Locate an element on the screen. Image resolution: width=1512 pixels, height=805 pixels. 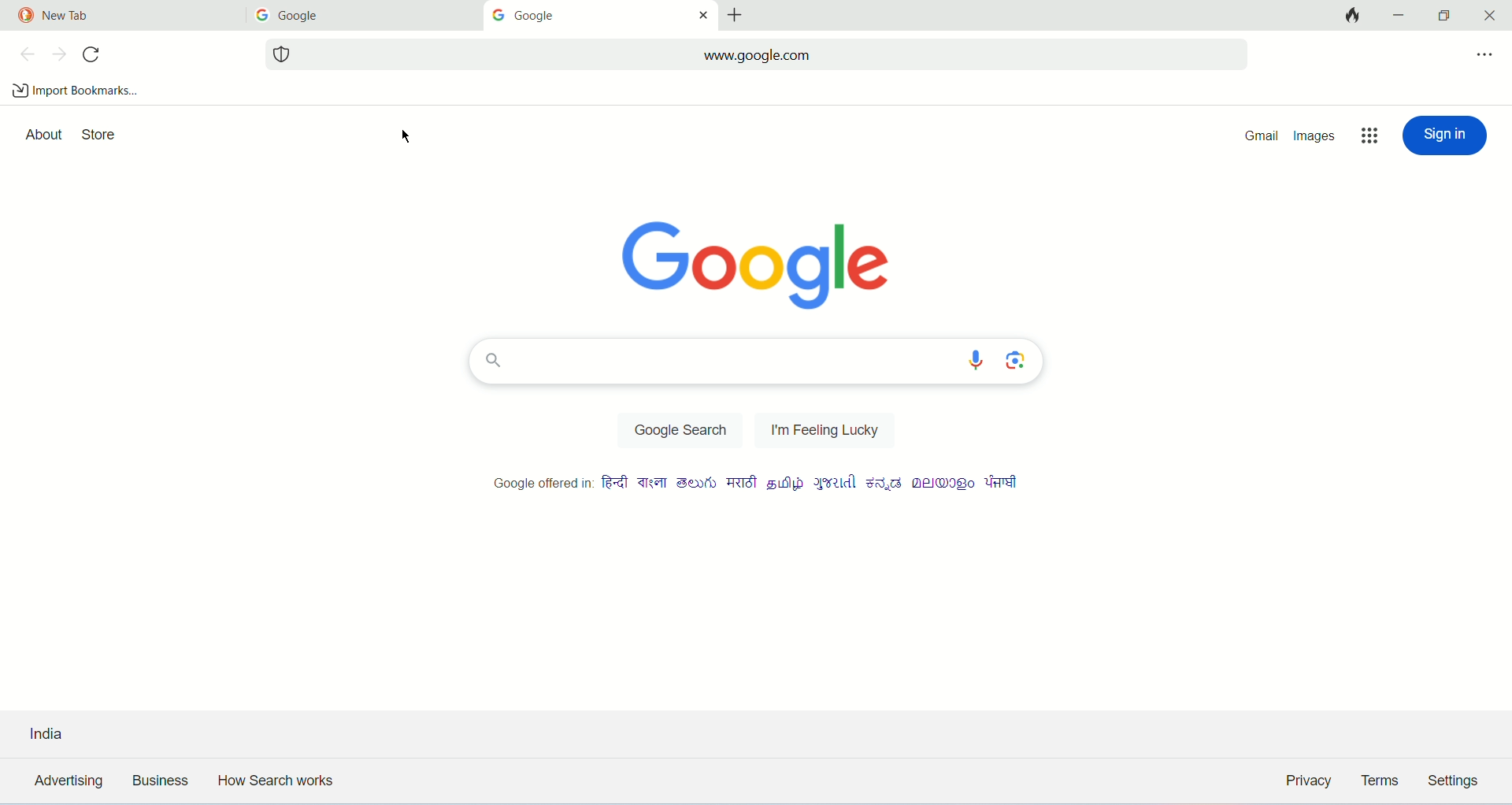
add tab is located at coordinates (739, 17).